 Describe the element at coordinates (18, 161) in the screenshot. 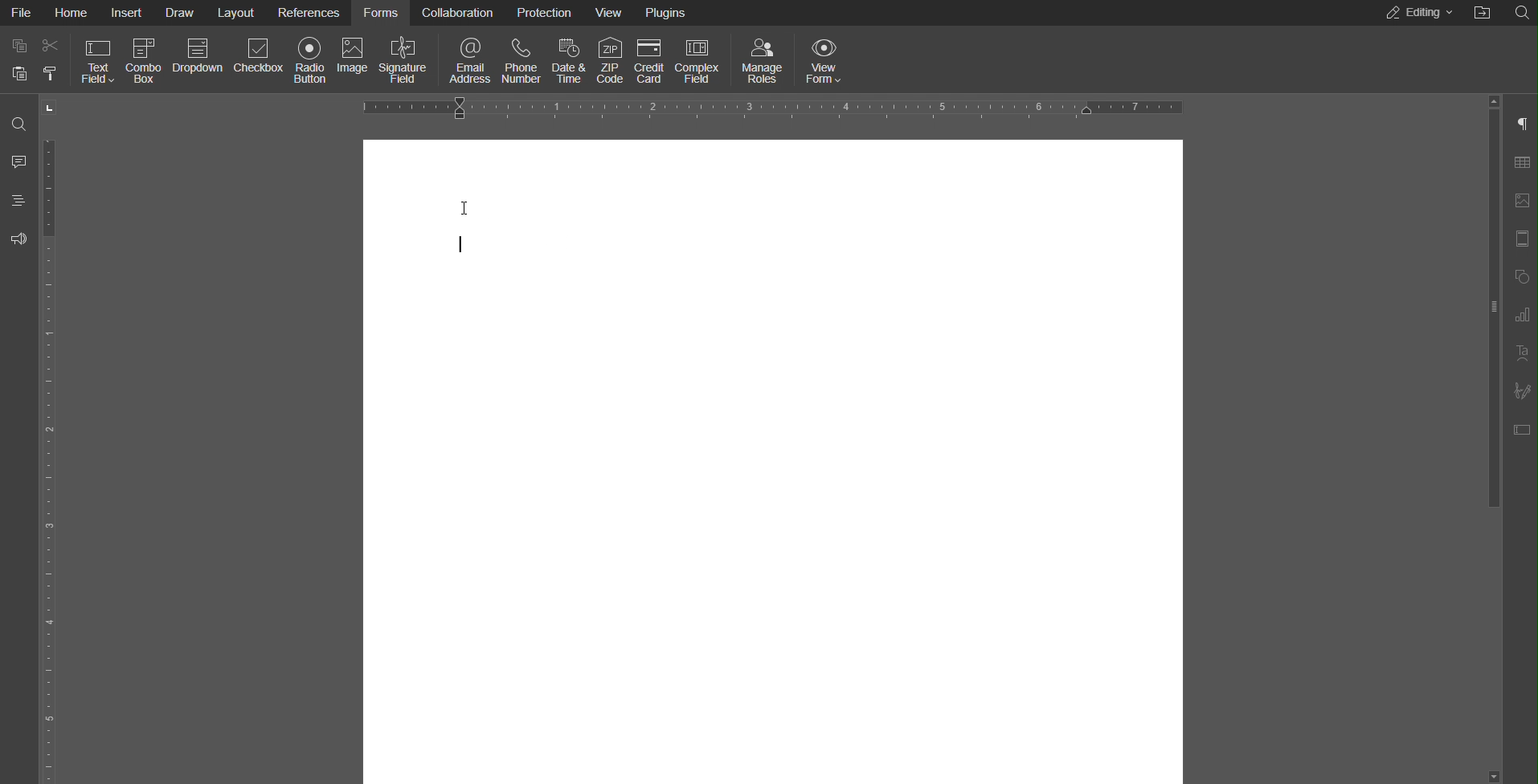

I see `Comments` at that location.